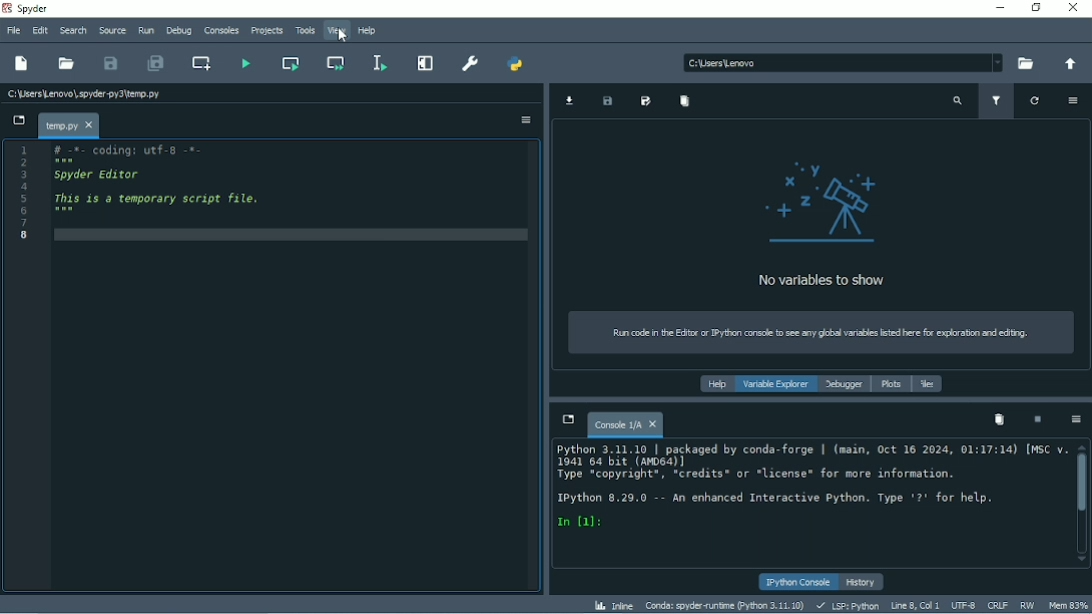  What do you see at coordinates (515, 64) in the screenshot?
I see `PYTHONPATH manager` at bounding box center [515, 64].